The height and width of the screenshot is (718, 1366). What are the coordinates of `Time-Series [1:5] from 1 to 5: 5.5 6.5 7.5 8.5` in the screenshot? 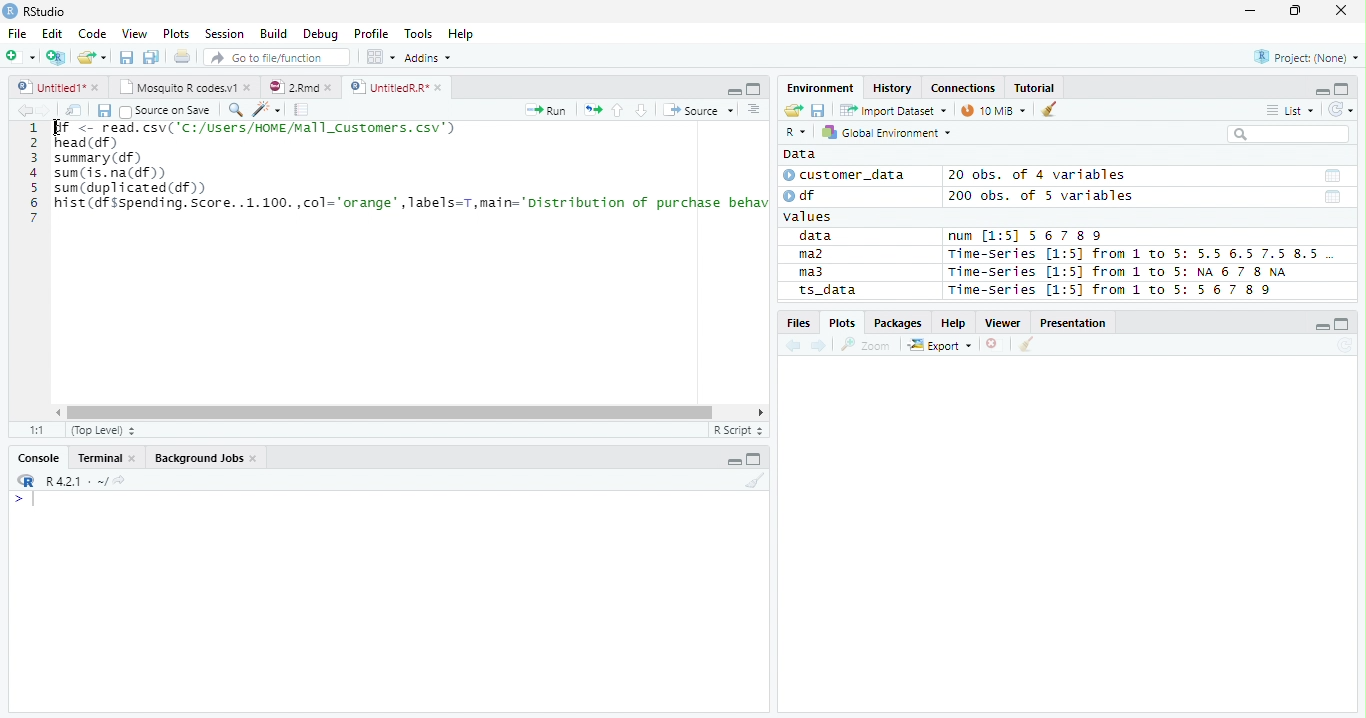 It's located at (1137, 255).